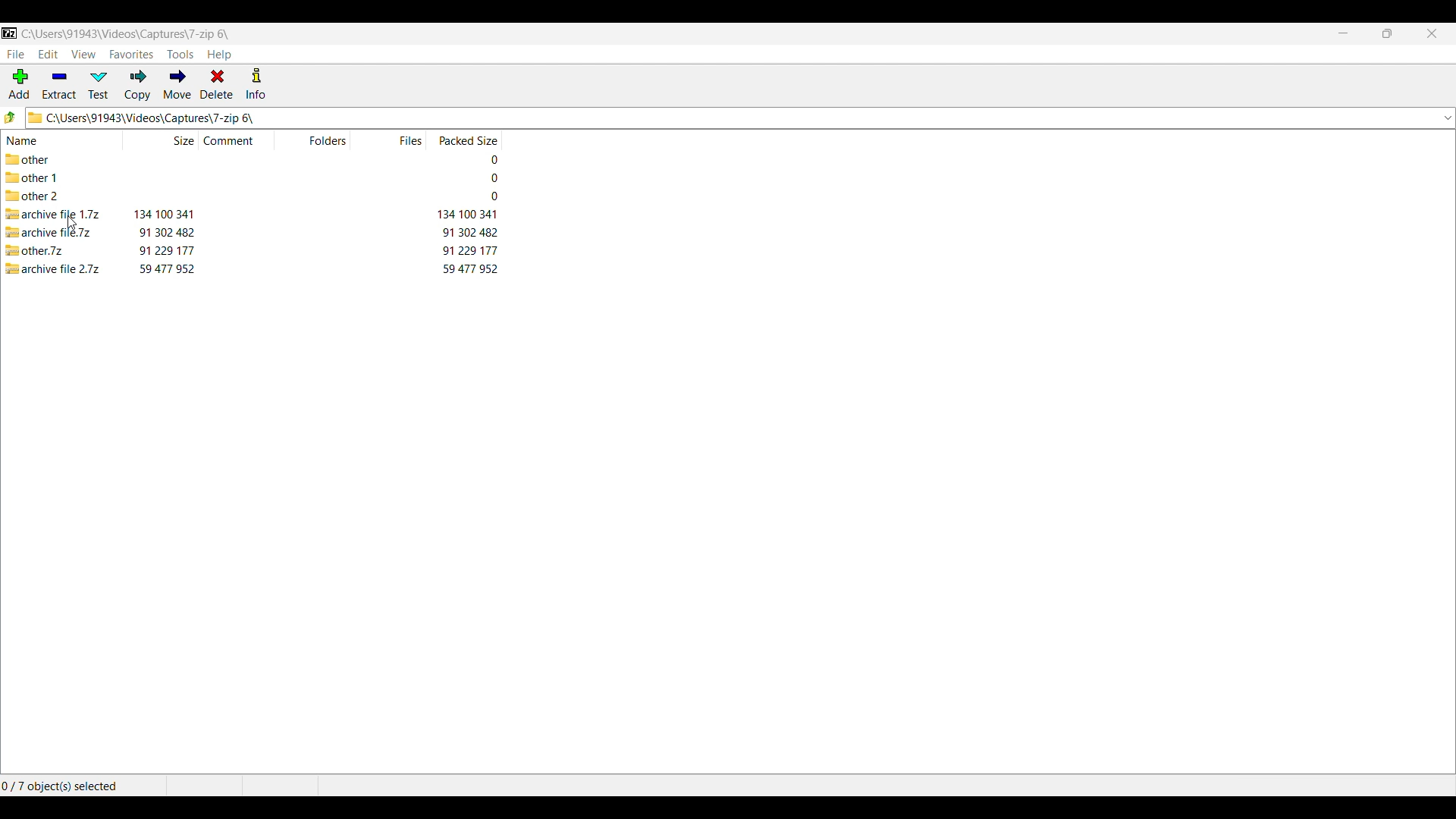 The height and width of the screenshot is (819, 1456). Describe the element at coordinates (49, 140) in the screenshot. I see `Name` at that location.